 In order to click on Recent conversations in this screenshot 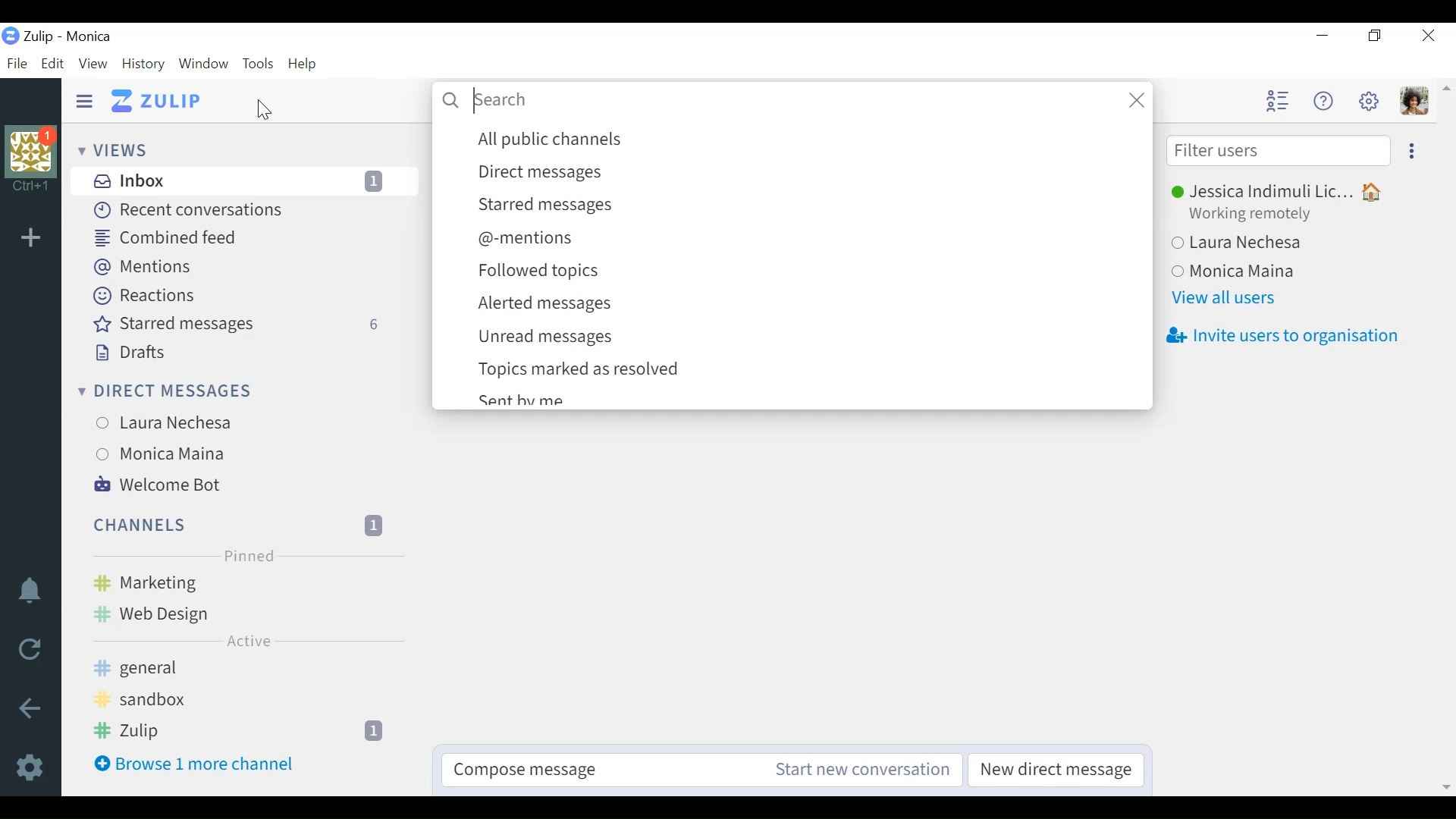, I will do `click(186, 211)`.